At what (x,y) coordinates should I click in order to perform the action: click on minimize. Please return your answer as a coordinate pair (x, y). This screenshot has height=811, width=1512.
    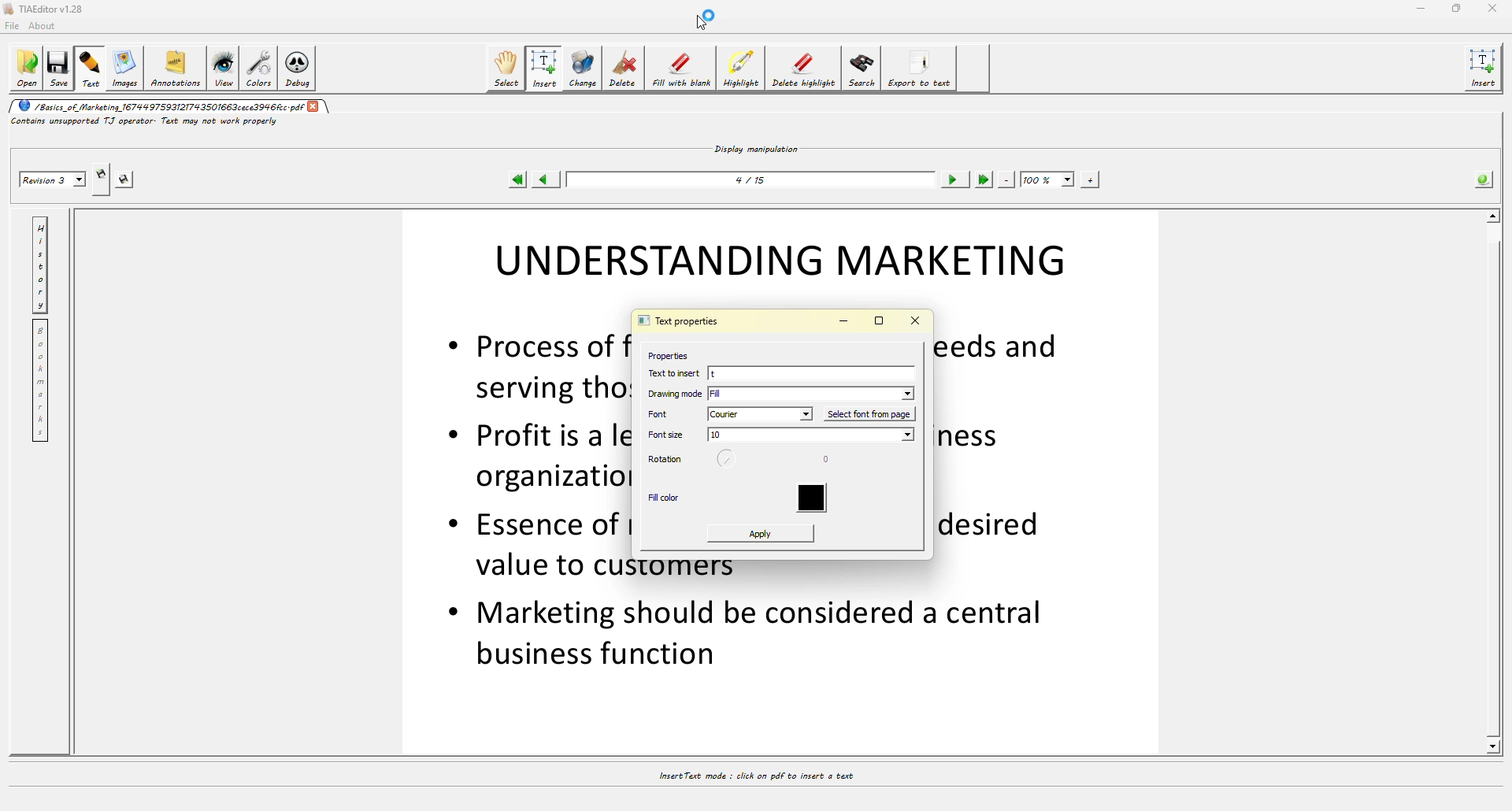
    Looking at the image, I should click on (843, 322).